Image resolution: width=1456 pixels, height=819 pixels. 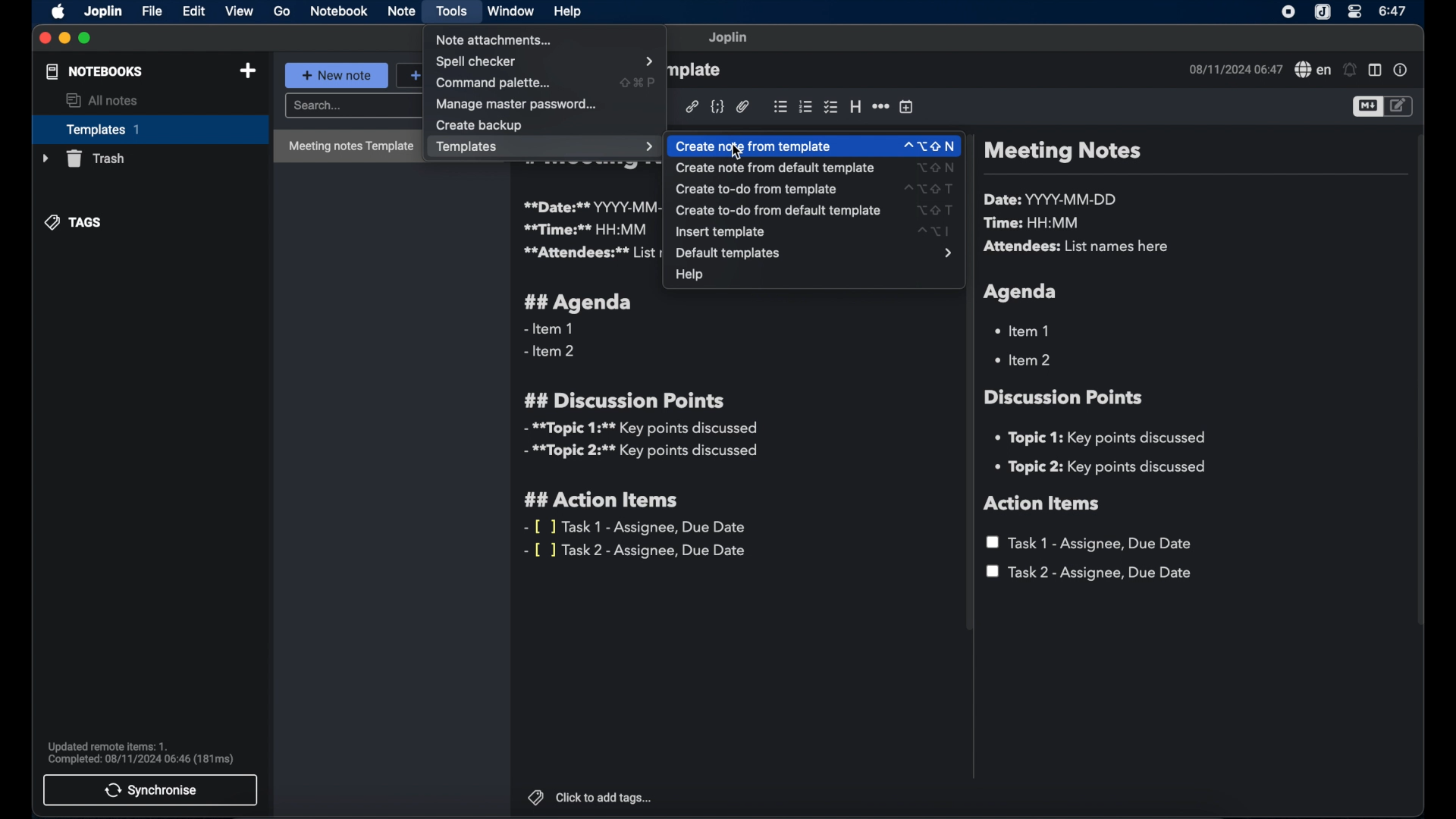 I want to click on **date:** YYYY-MM-, so click(x=589, y=206).